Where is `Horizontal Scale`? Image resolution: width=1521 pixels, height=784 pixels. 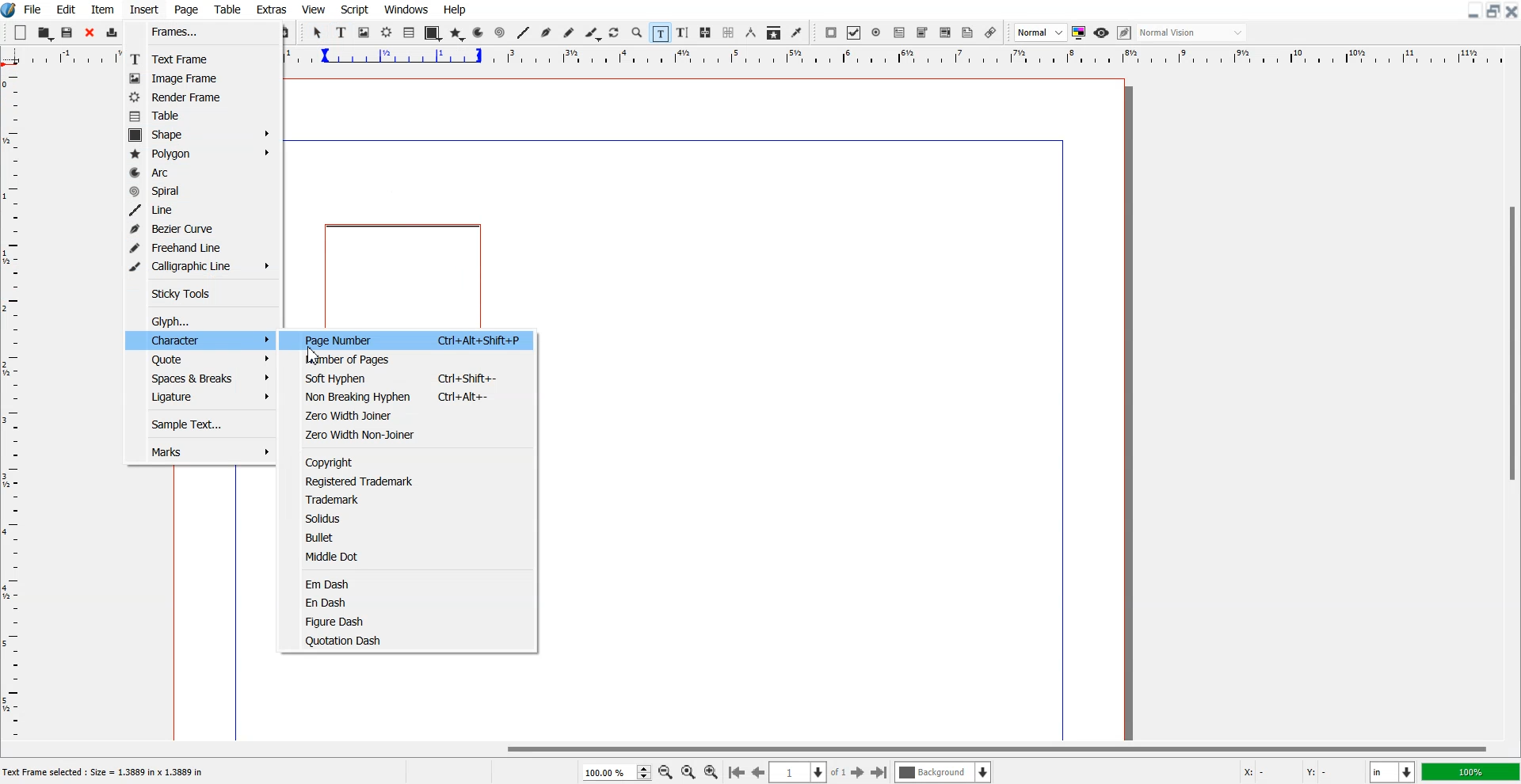
Horizontal Scale is located at coordinates (899, 58).